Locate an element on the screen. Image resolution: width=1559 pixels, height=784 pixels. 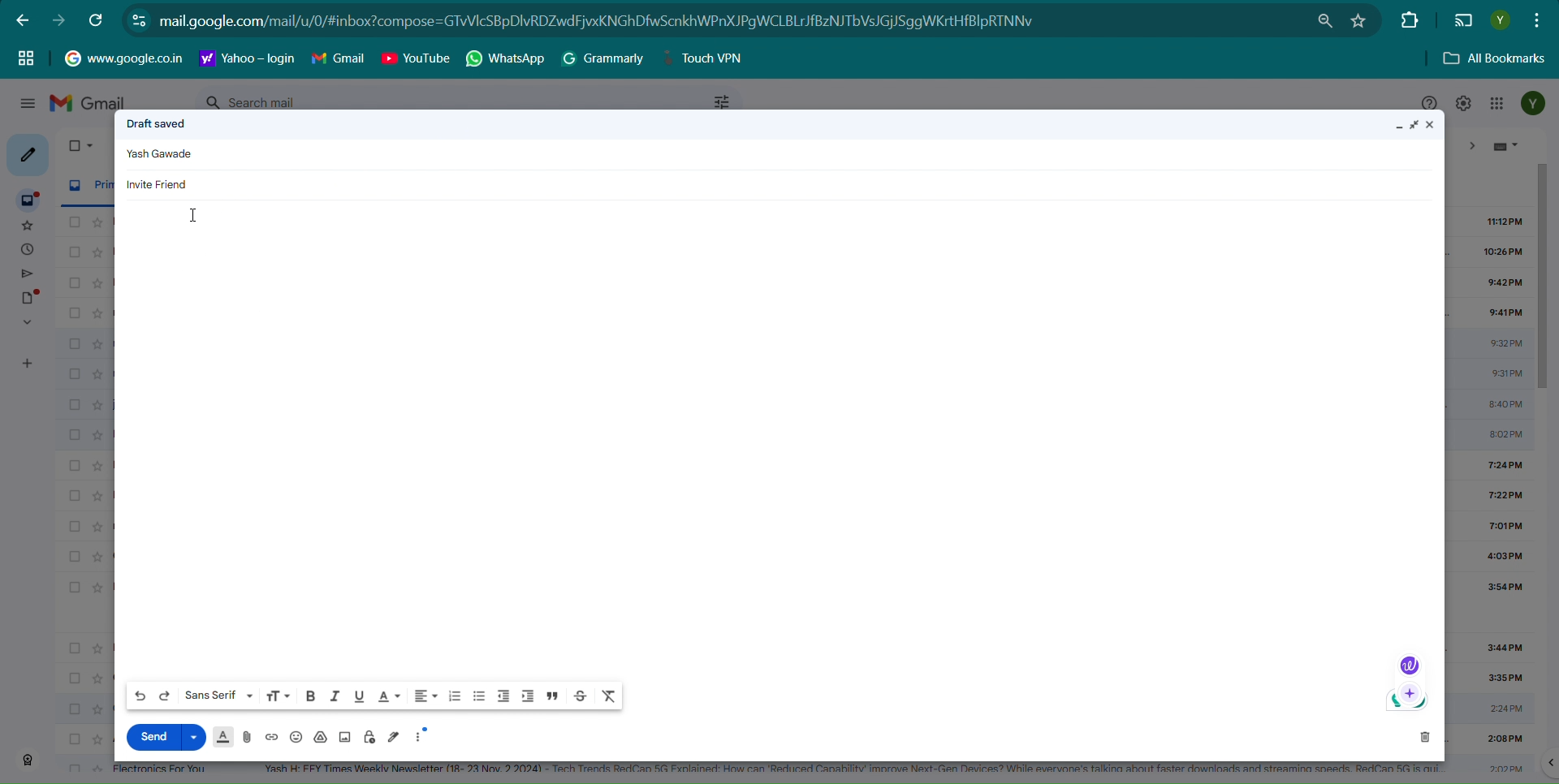
Hyper link is located at coordinates (620, 21).